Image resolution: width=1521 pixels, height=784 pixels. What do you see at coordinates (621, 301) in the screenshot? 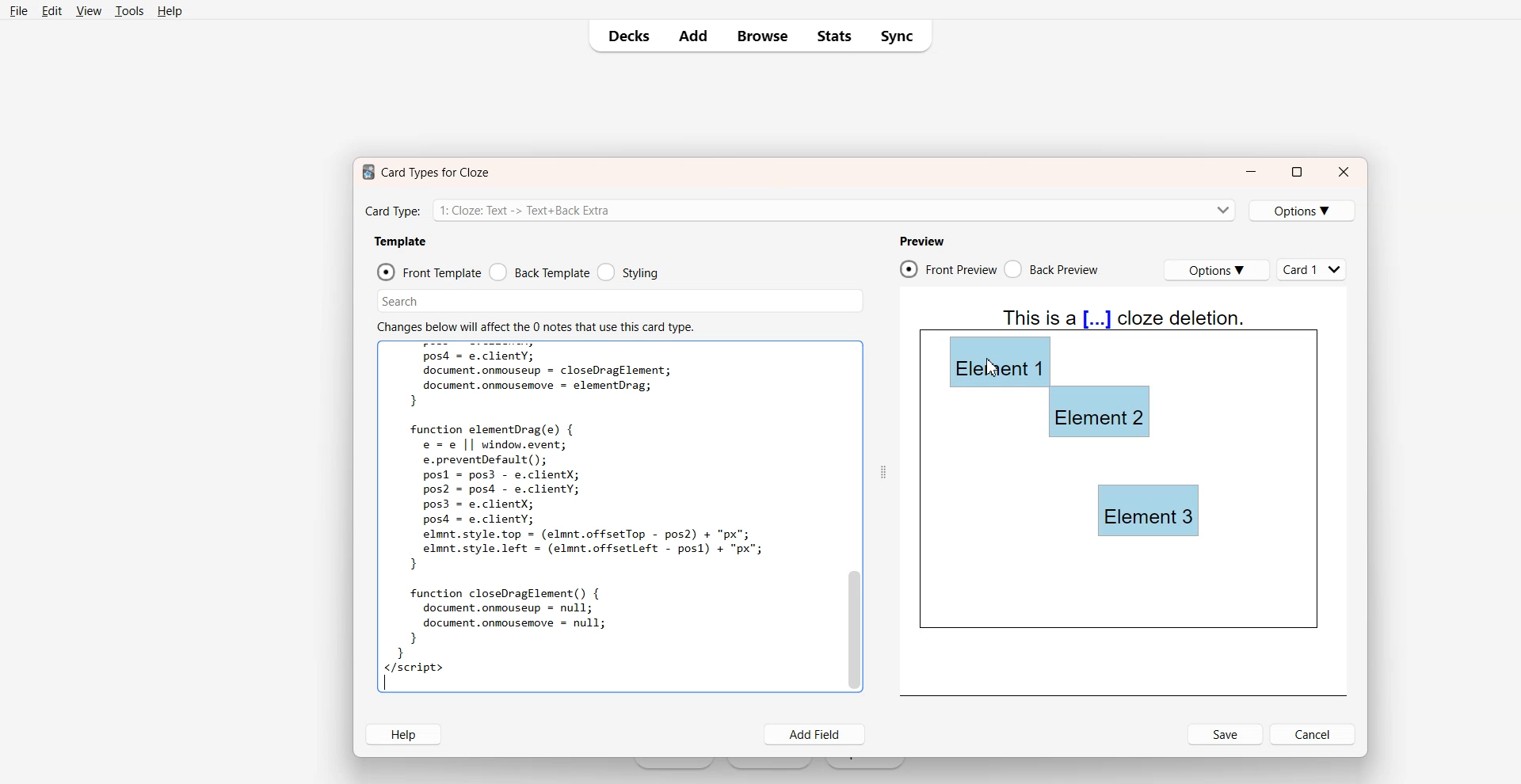
I see `Search` at bounding box center [621, 301].